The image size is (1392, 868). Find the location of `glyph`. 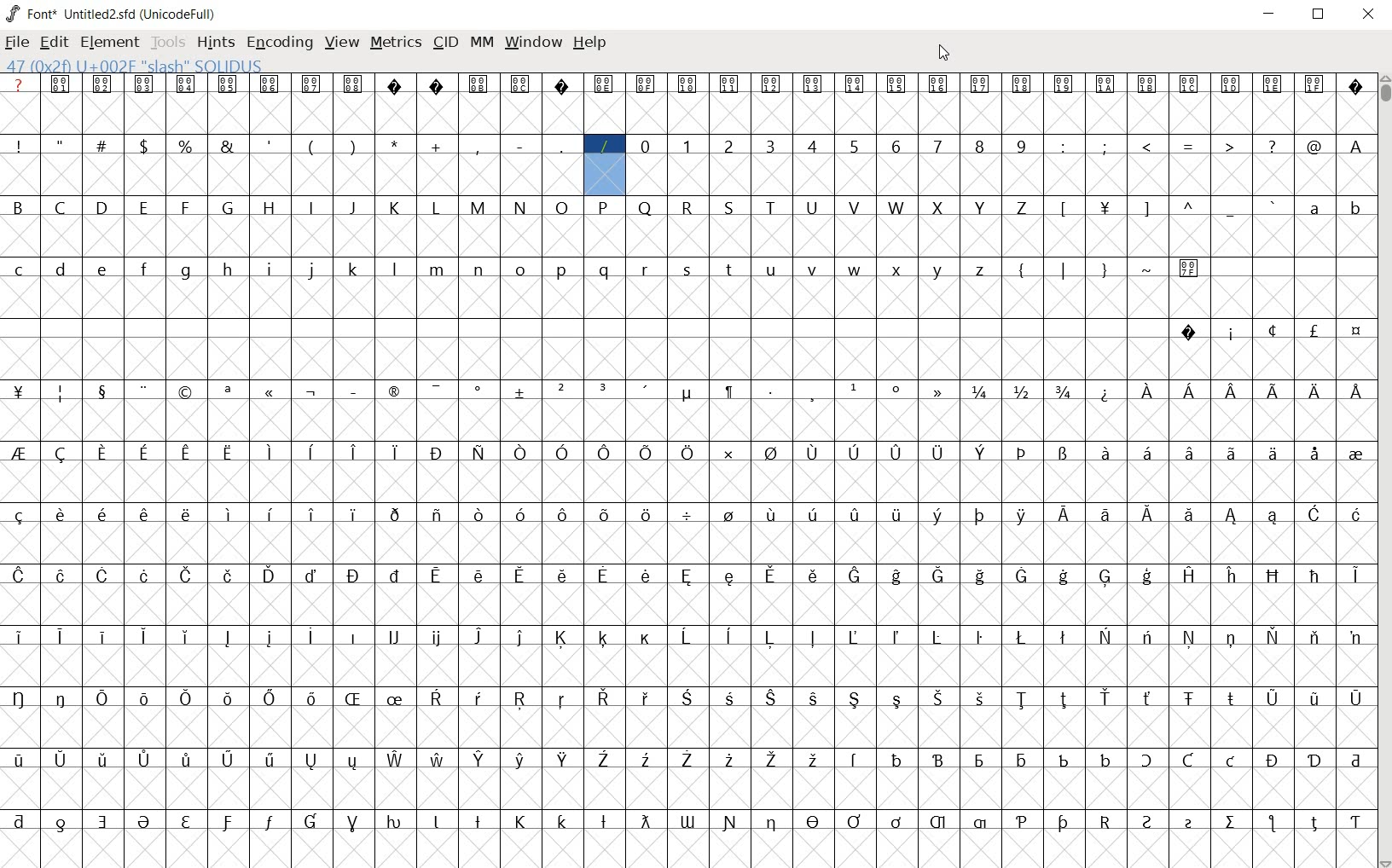

glyph is located at coordinates (1189, 760).